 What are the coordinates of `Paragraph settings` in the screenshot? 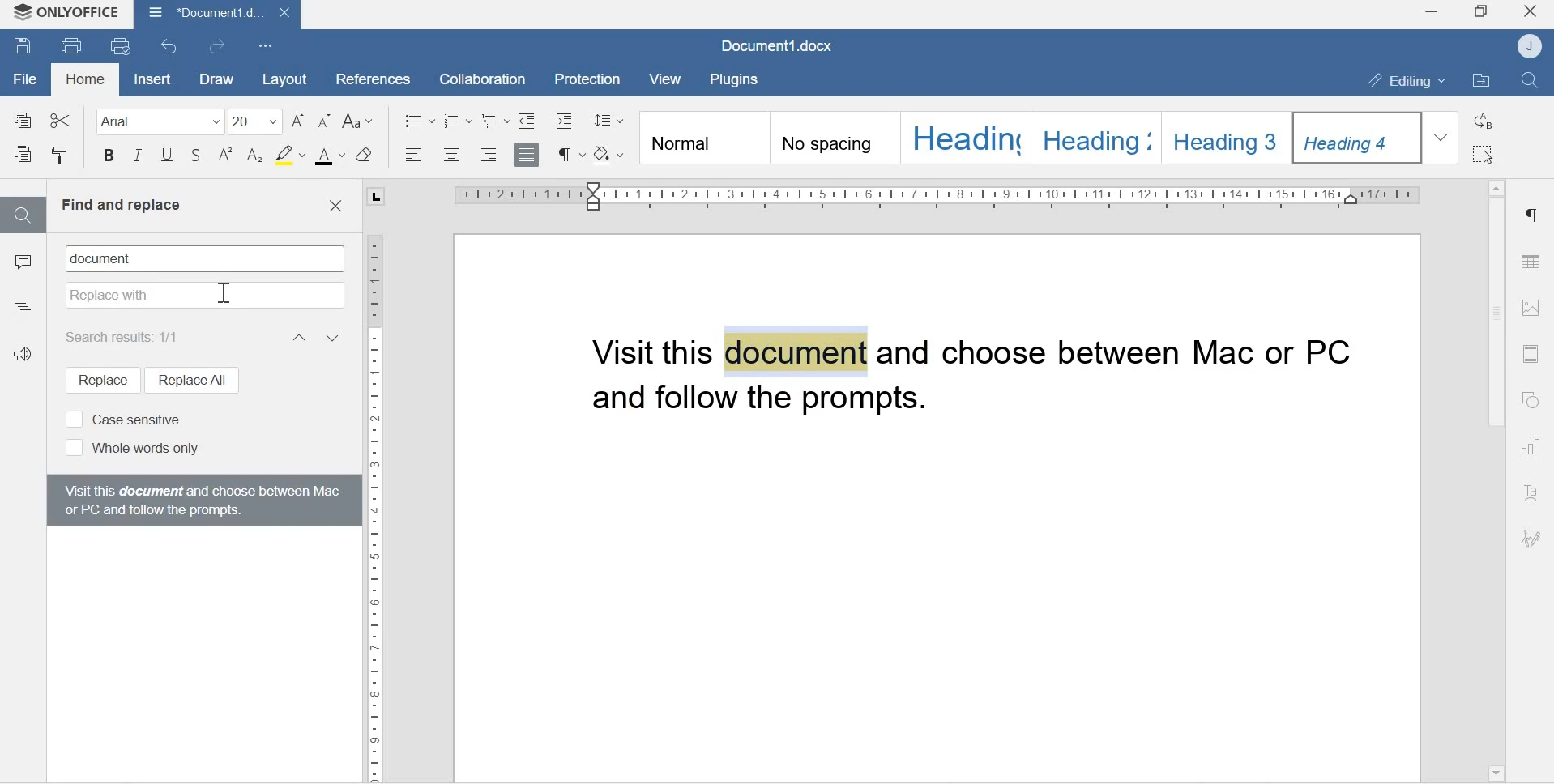 It's located at (1531, 215).